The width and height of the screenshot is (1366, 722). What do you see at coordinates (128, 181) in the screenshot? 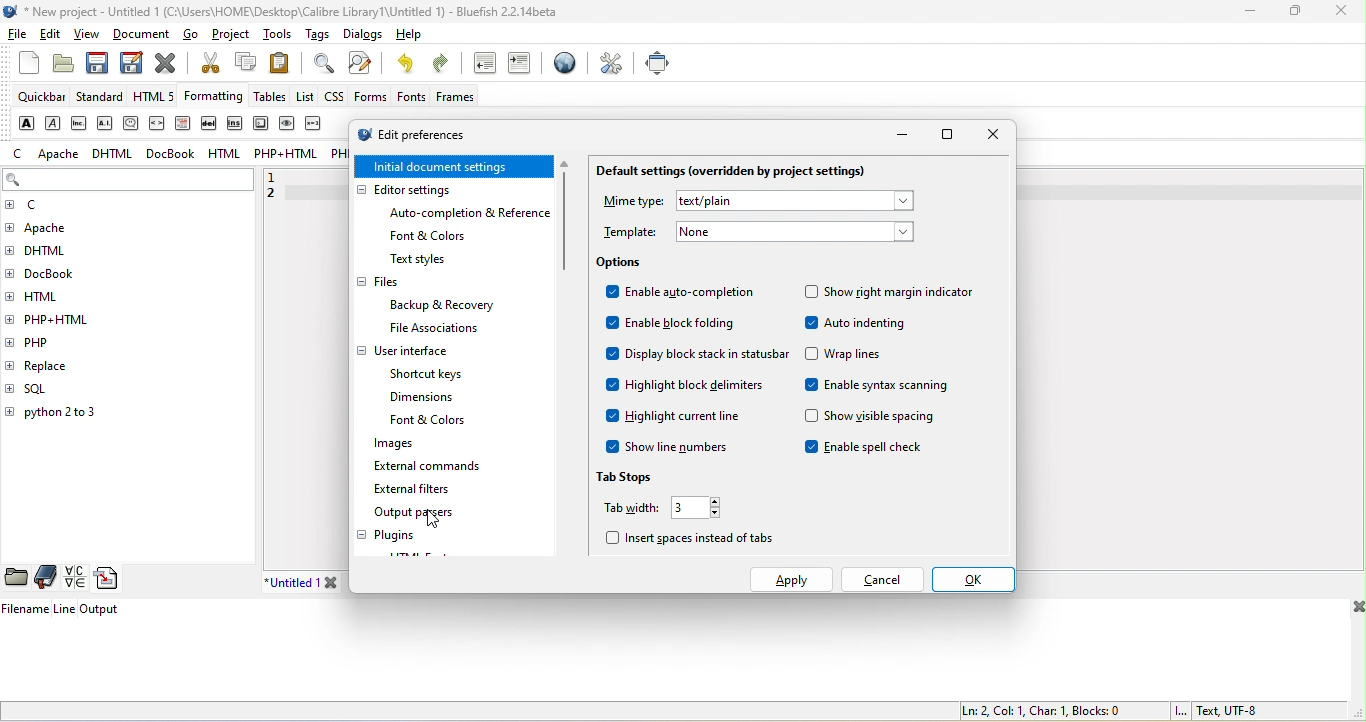
I see `search bar` at bounding box center [128, 181].